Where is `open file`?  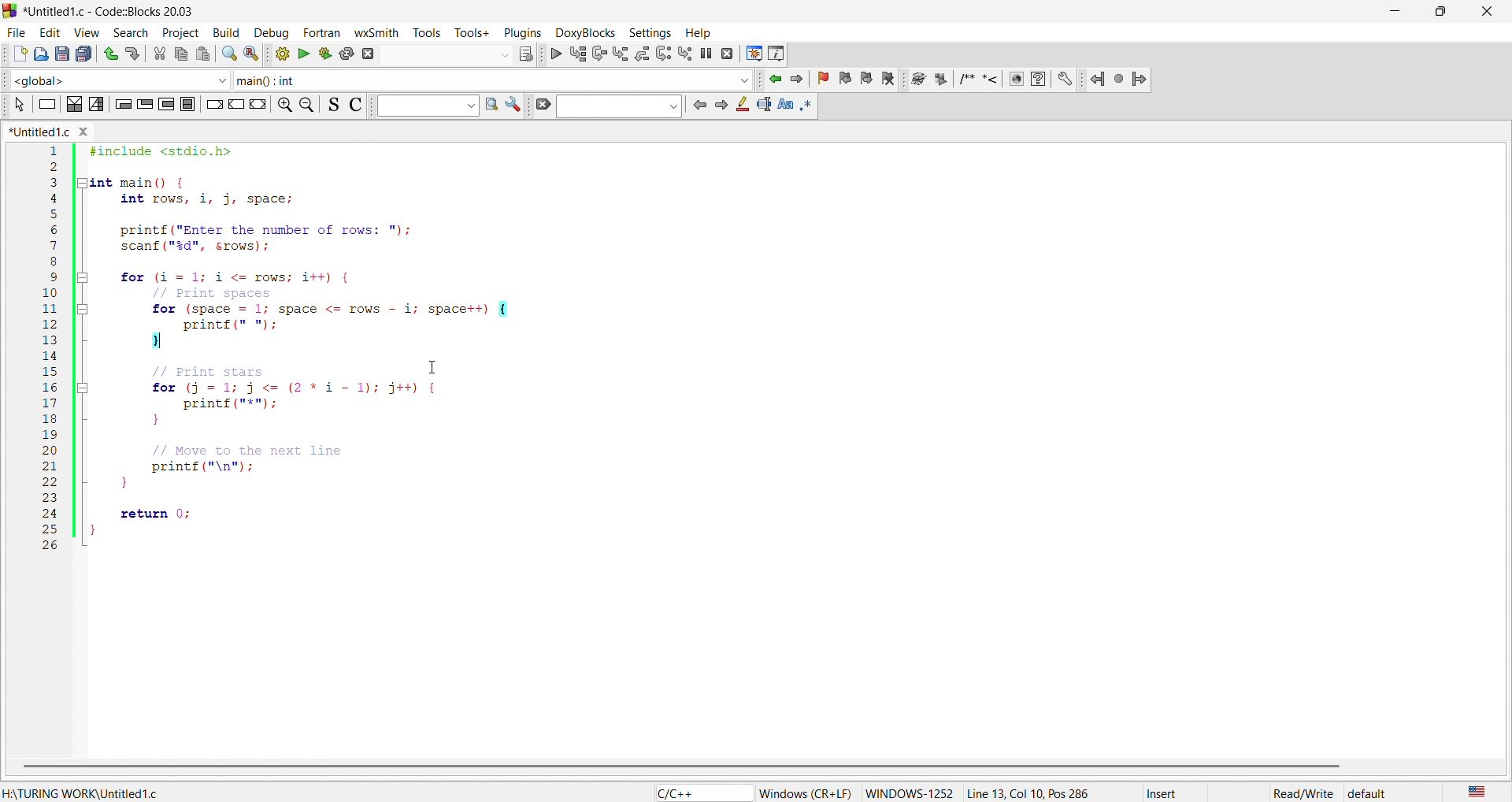
open file is located at coordinates (39, 53).